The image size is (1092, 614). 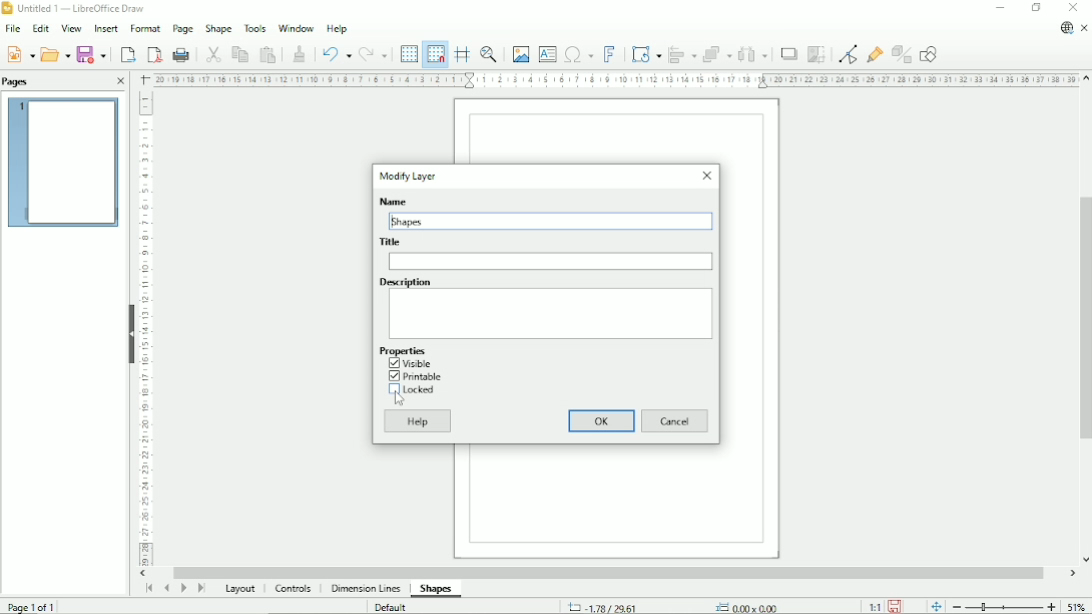 What do you see at coordinates (610, 53) in the screenshot?
I see `Insert fontwork text` at bounding box center [610, 53].